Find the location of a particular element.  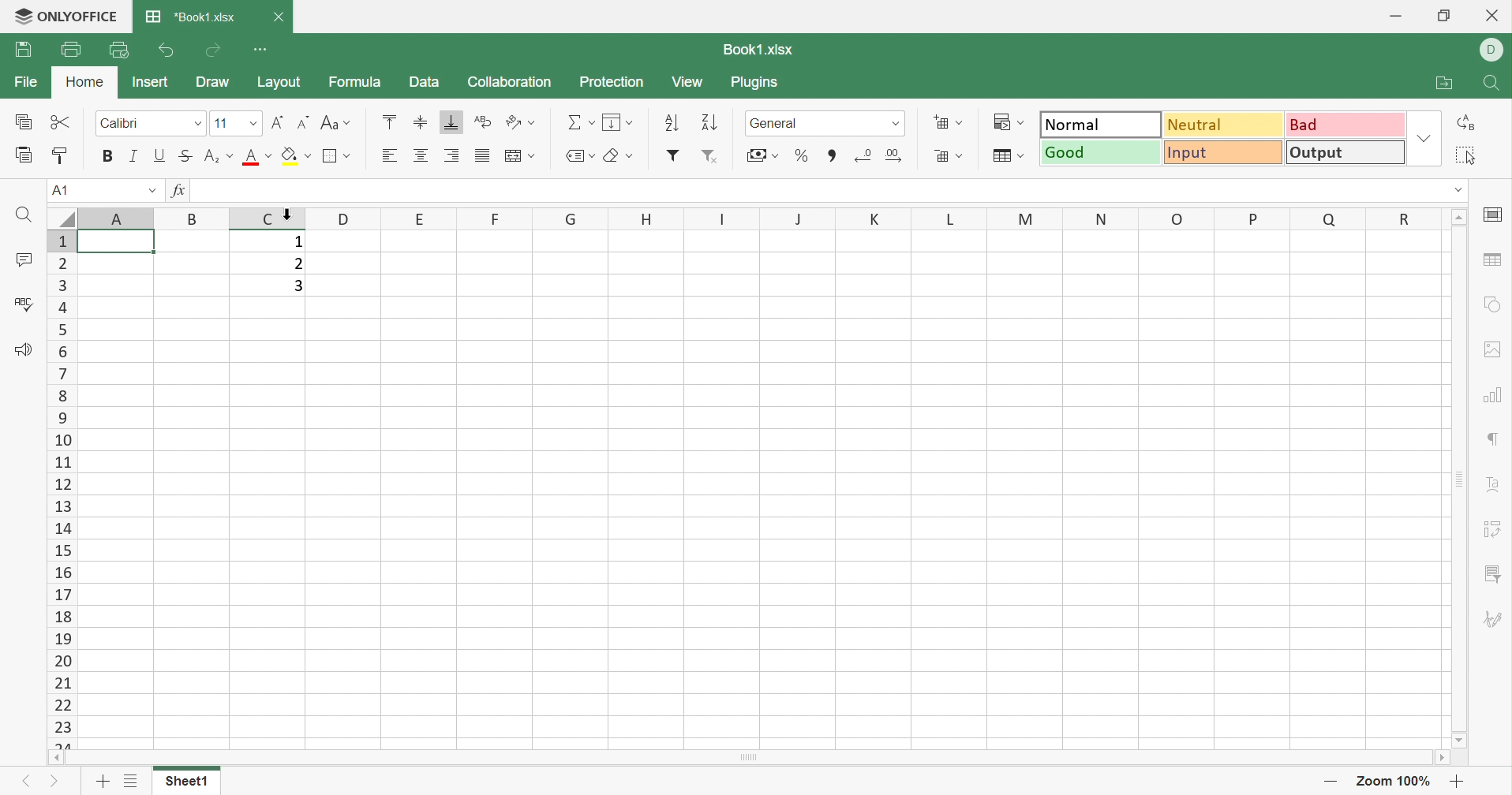

1 is located at coordinates (293, 240).